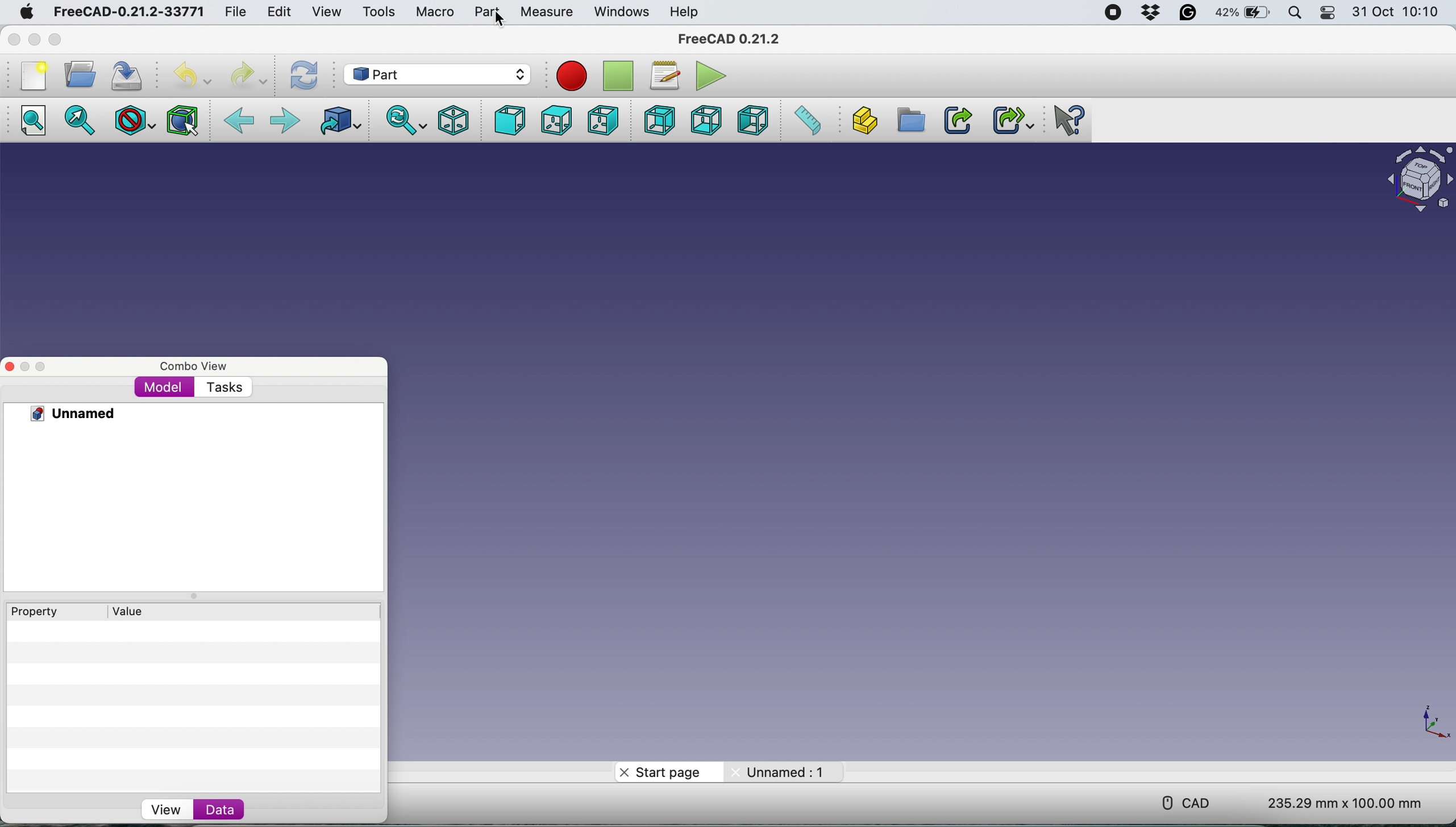 The height and width of the screenshot is (827, 1456). Describe the element at coordinates (442, 75) in the screenshot. I see `Work bench` at that location.